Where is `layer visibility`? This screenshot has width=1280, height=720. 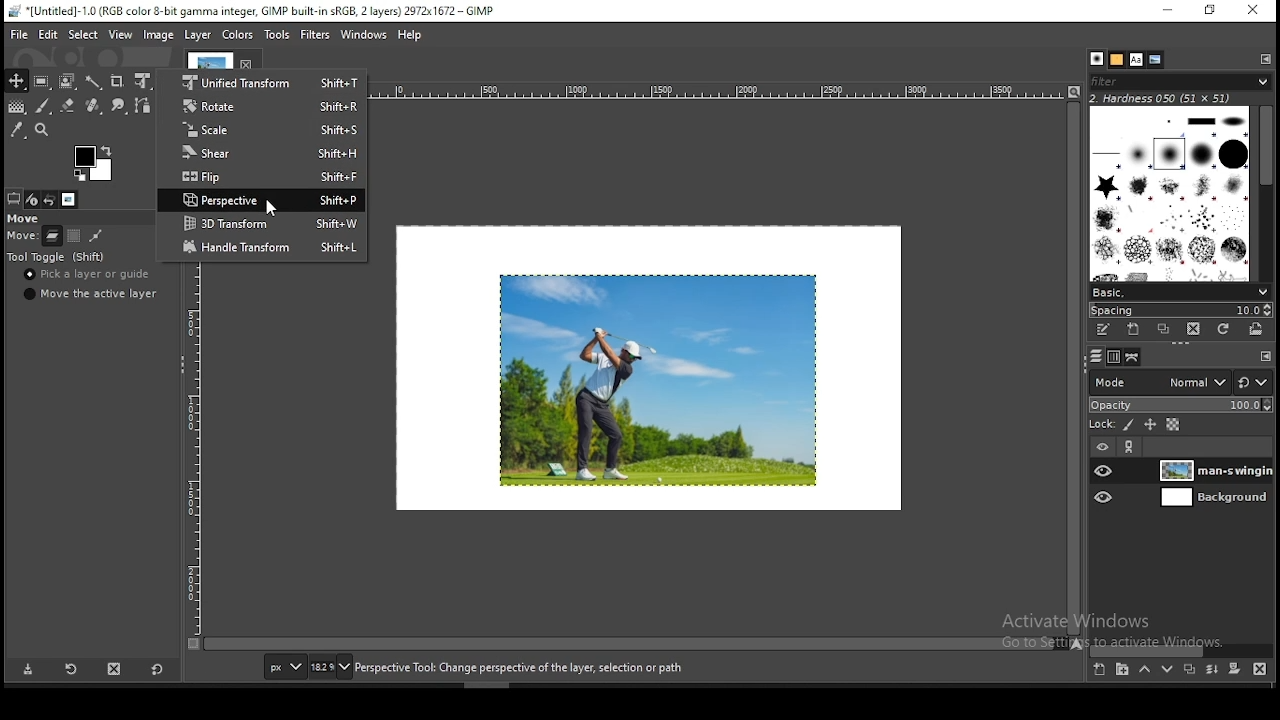 layer visibility is located at coordinates (1102, 448).